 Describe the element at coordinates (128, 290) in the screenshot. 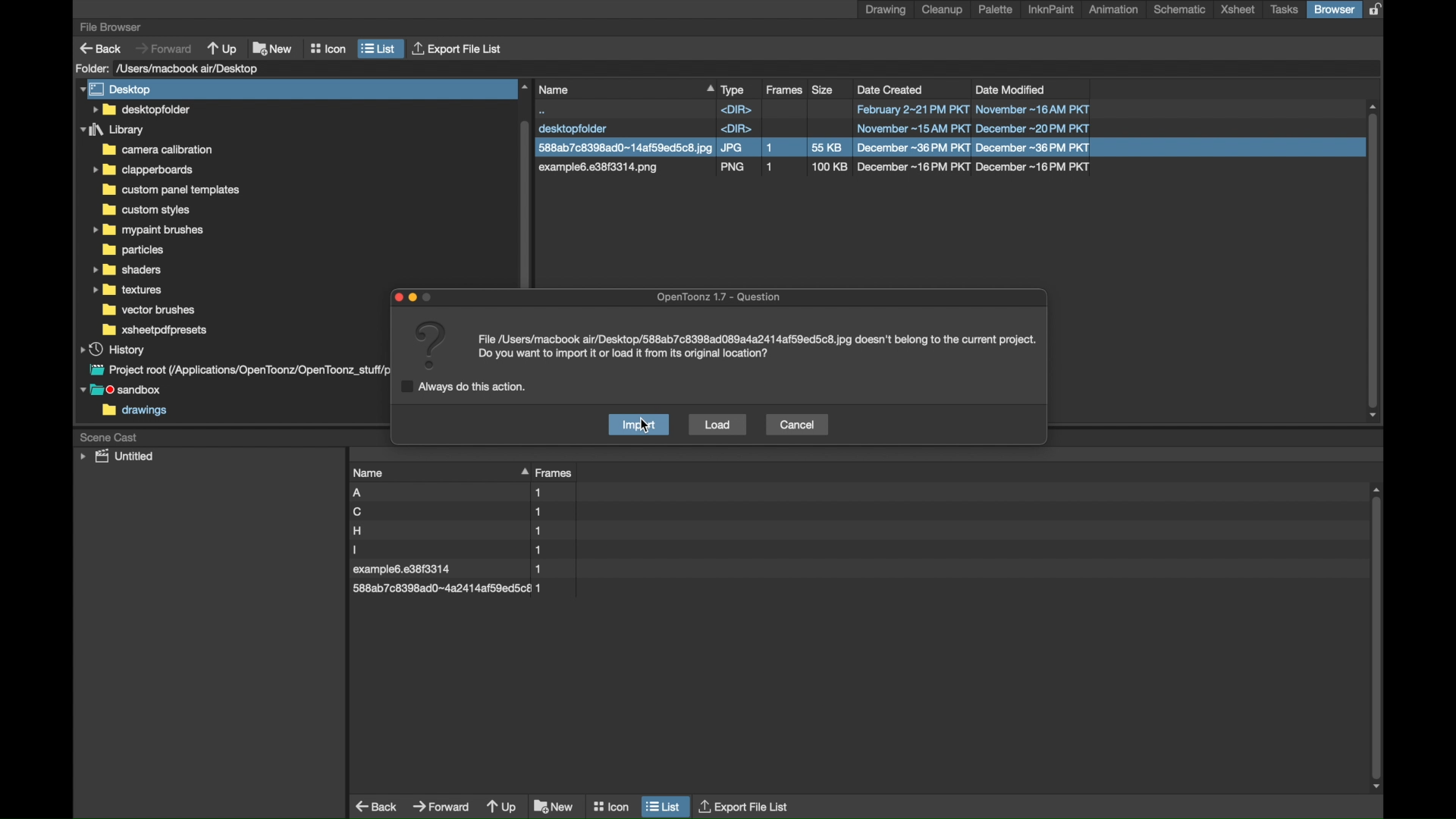

I see `folder` at that location.